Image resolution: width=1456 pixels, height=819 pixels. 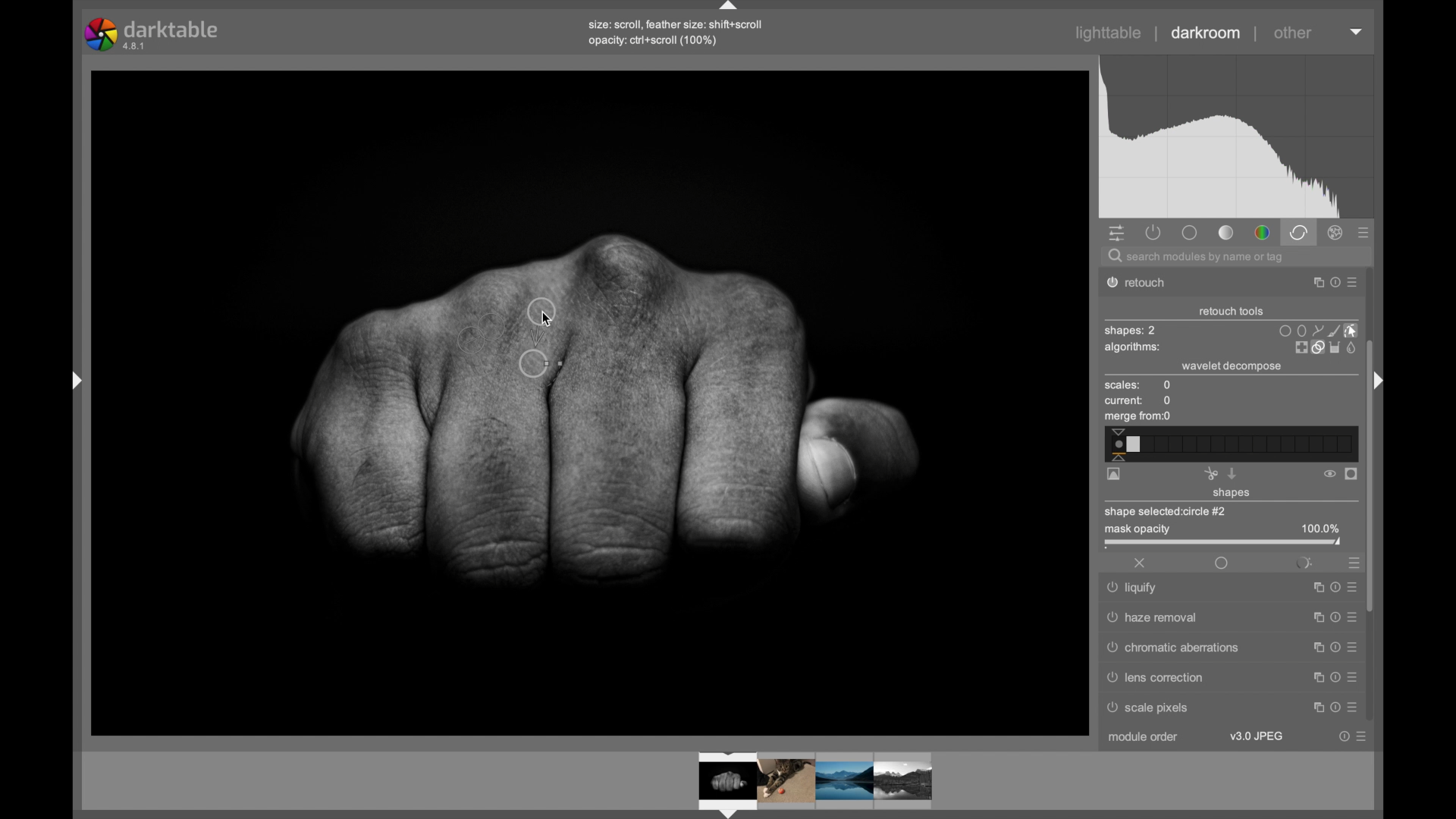 I want to click on histogram, so click(x=1236, y=137).